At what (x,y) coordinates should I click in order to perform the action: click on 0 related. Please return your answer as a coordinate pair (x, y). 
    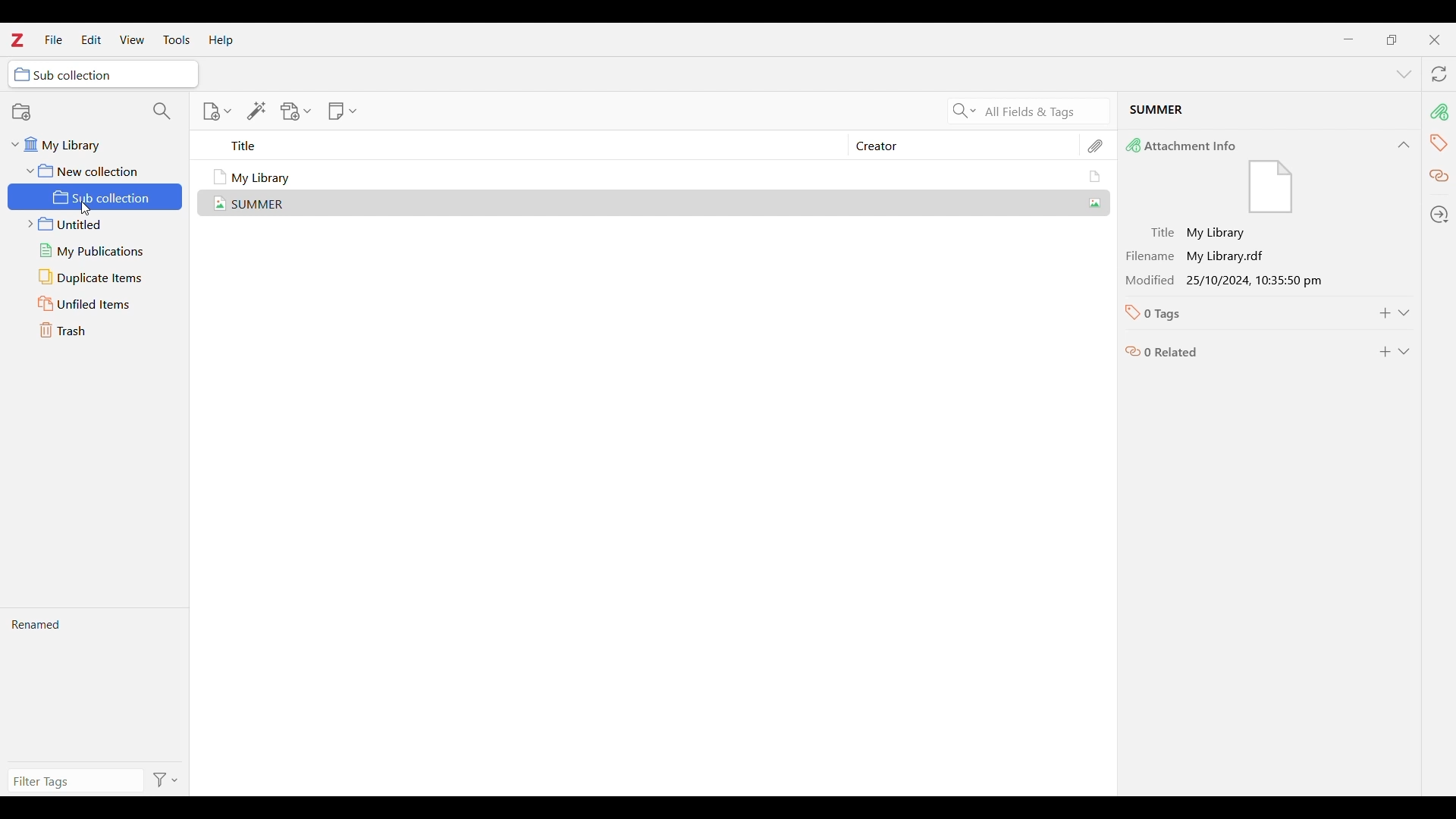
    Looking at the image, I should click on (1241, 348).